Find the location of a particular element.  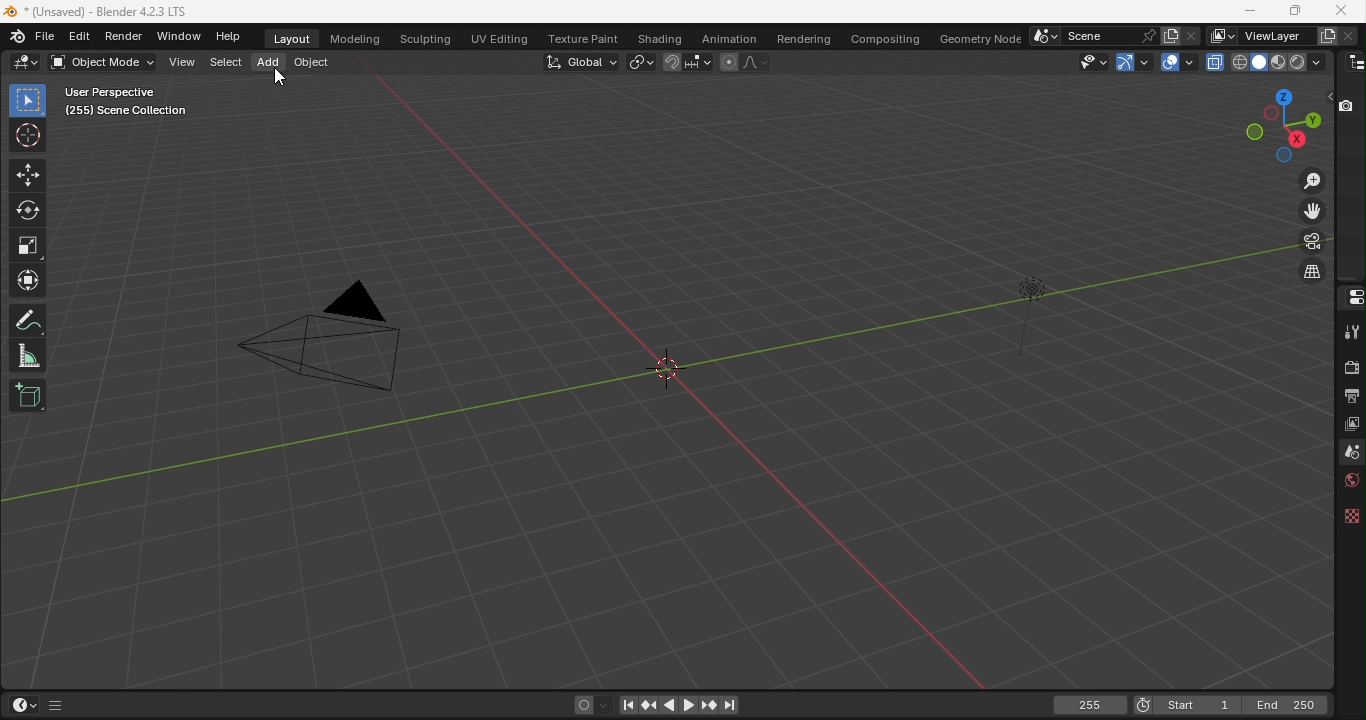

Rotate the scene is located at coordinates (1313, 118).